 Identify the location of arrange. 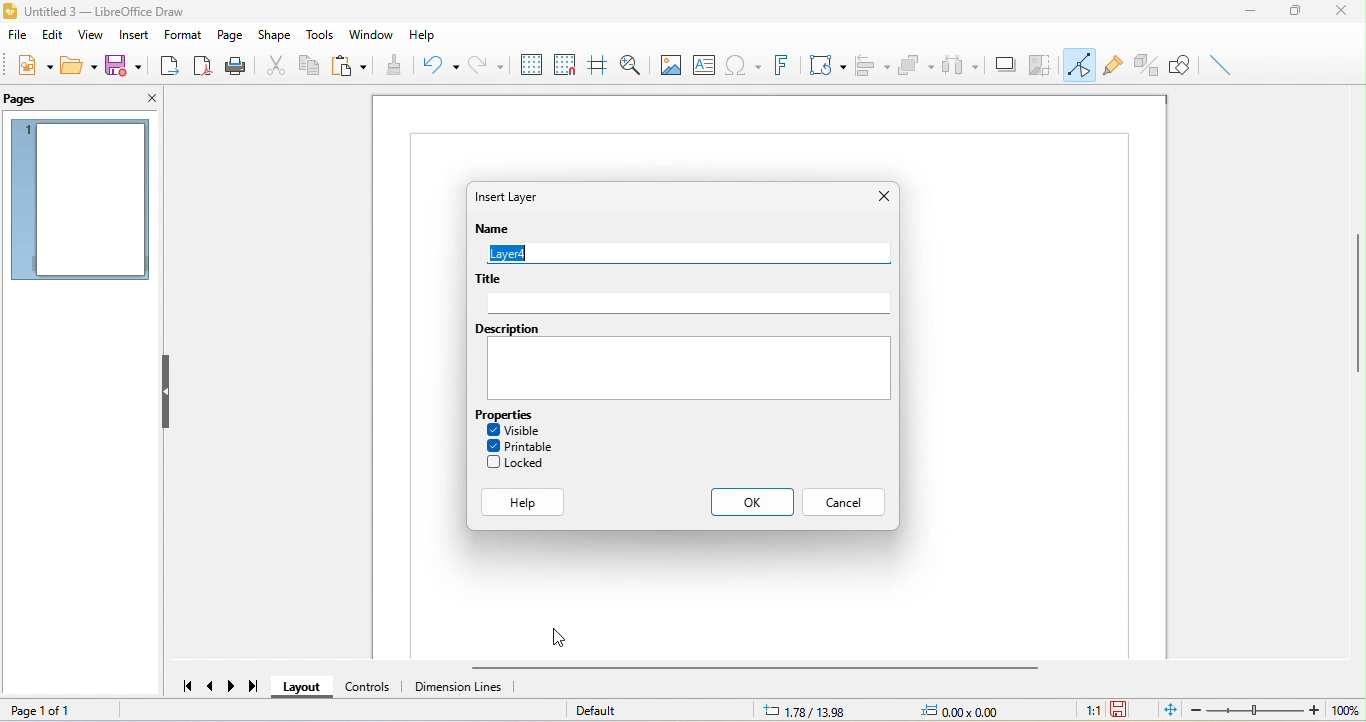
(917, 64).